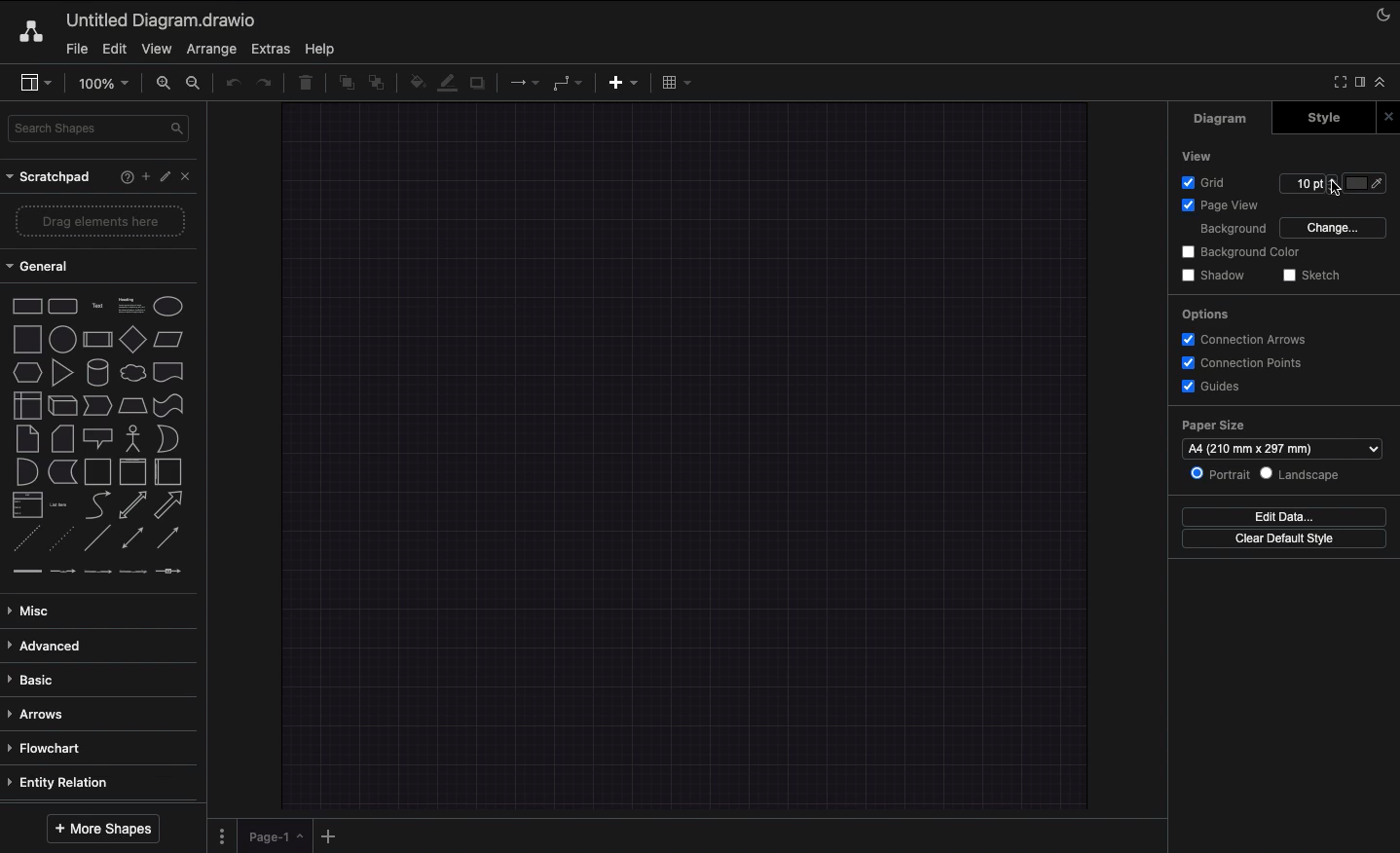  I want to click on Advanced, so click(51, 646).